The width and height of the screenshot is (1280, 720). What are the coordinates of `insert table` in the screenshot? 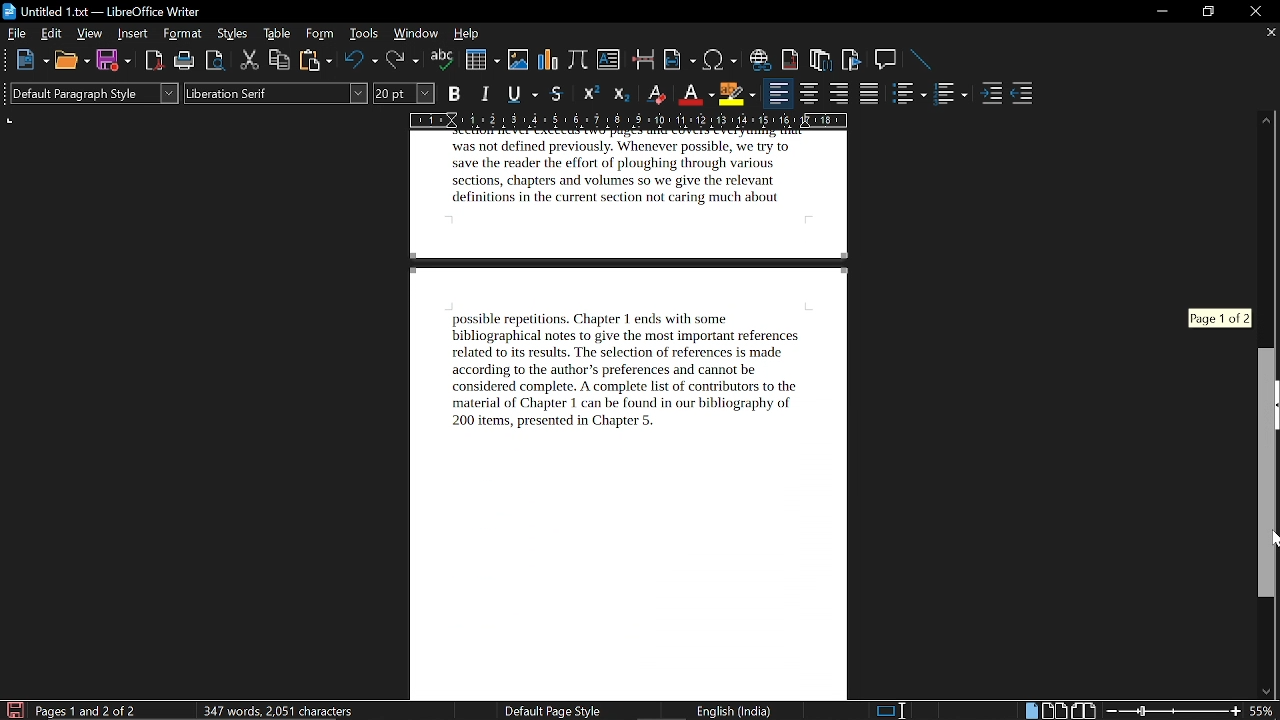 It's located at (482, 60).